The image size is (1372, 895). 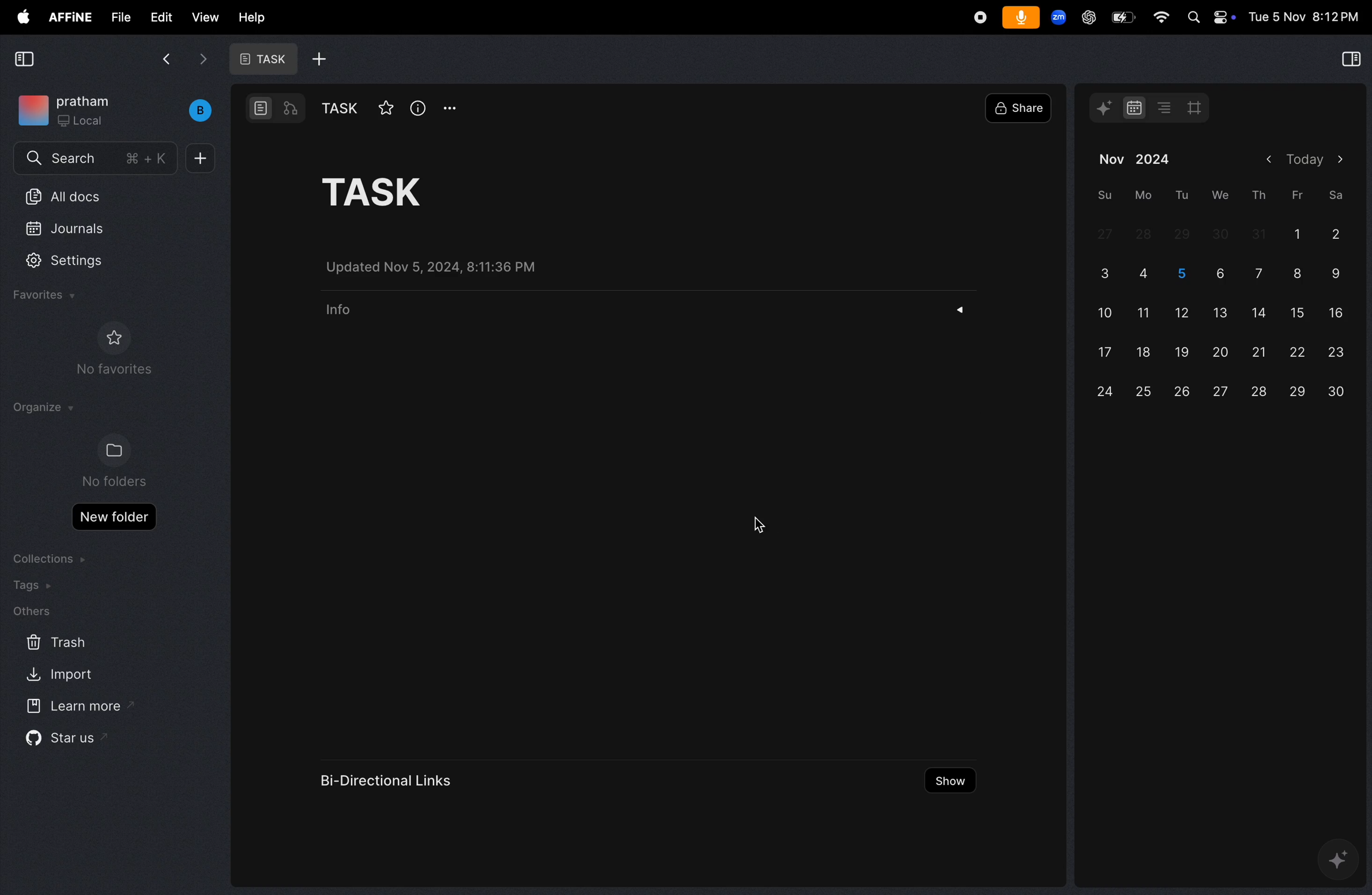 What do you see at coordinates (1130, 108) in the screenshot?
I see `calendar` at bounding box center [1130, 108].